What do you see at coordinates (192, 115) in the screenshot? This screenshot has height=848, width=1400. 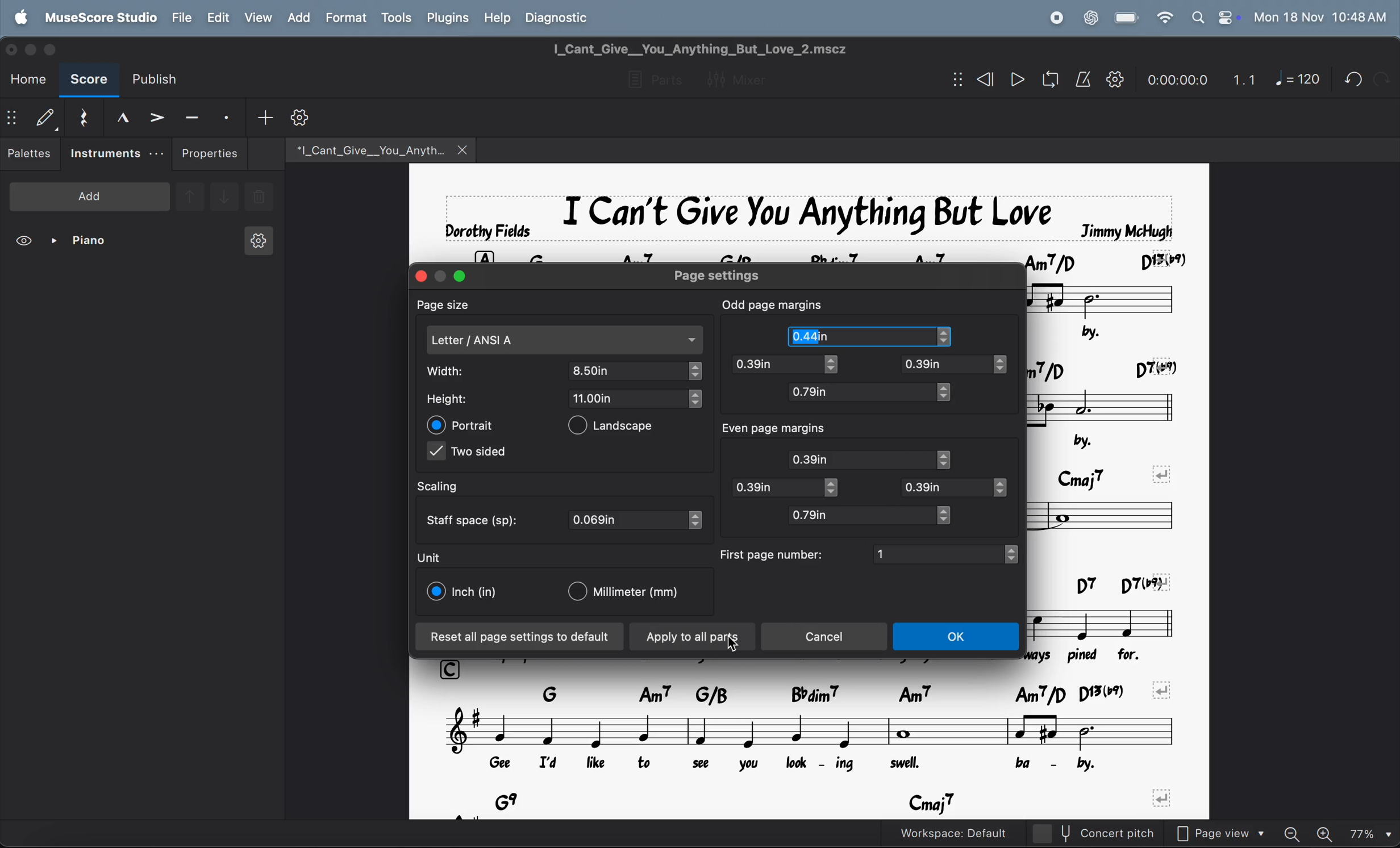 I see `tenuto` at bounding box center [192, 115].